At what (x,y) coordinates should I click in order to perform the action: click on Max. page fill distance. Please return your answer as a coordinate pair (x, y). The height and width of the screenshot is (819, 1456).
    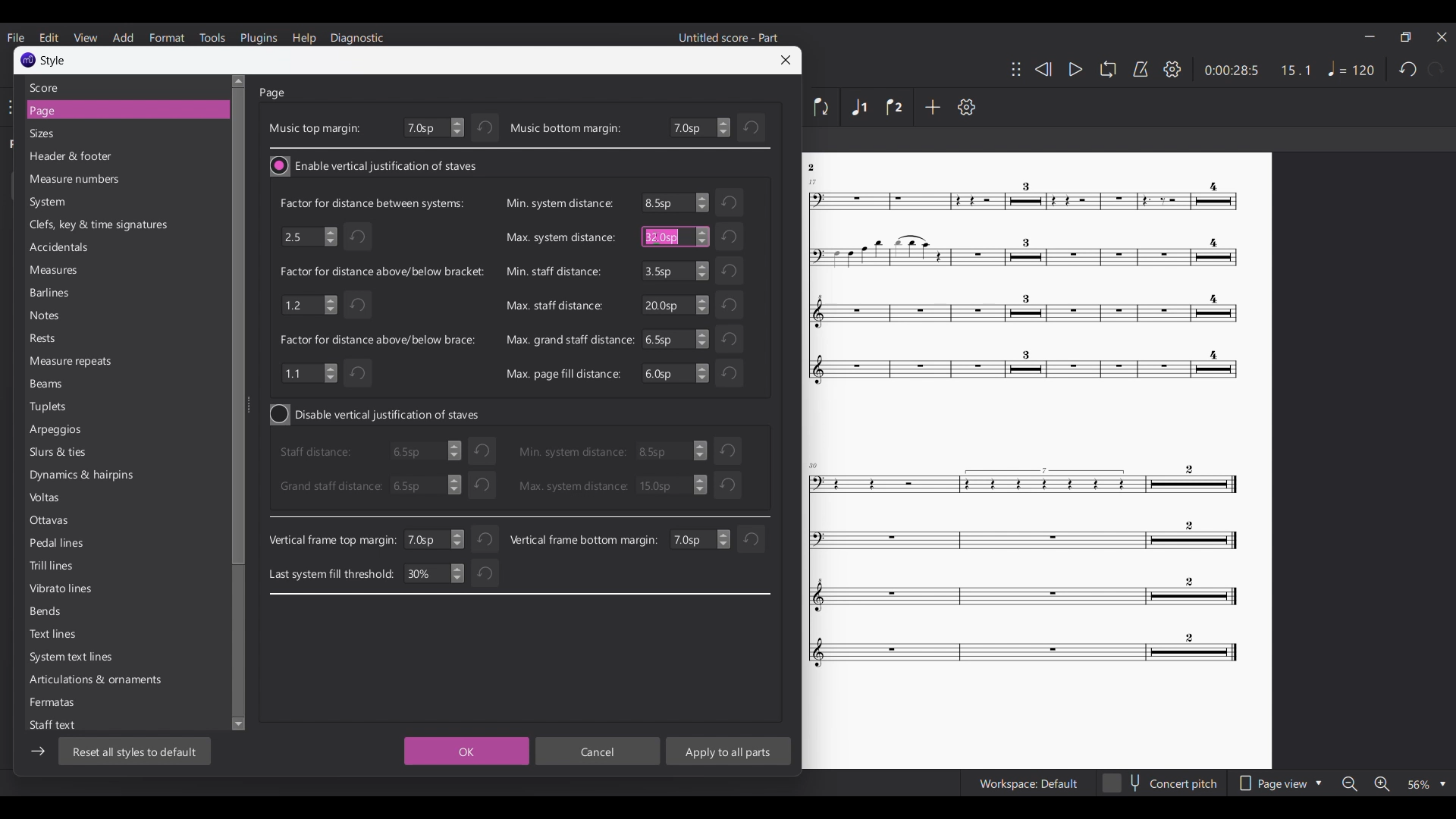
    Looking at the image, I should click on (563, 373).